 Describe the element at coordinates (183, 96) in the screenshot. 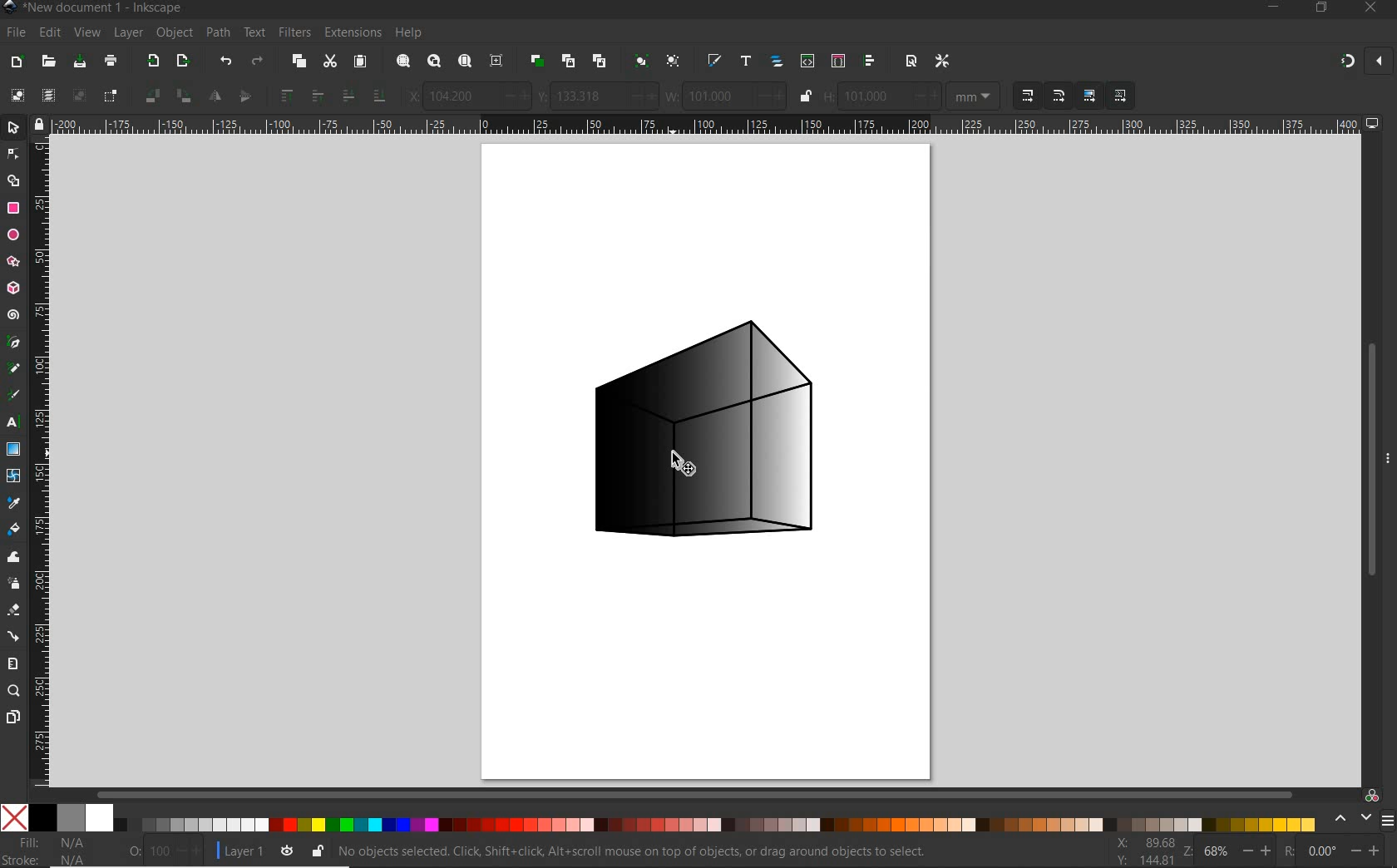

I see `OBJECT ROTATE` at that location.